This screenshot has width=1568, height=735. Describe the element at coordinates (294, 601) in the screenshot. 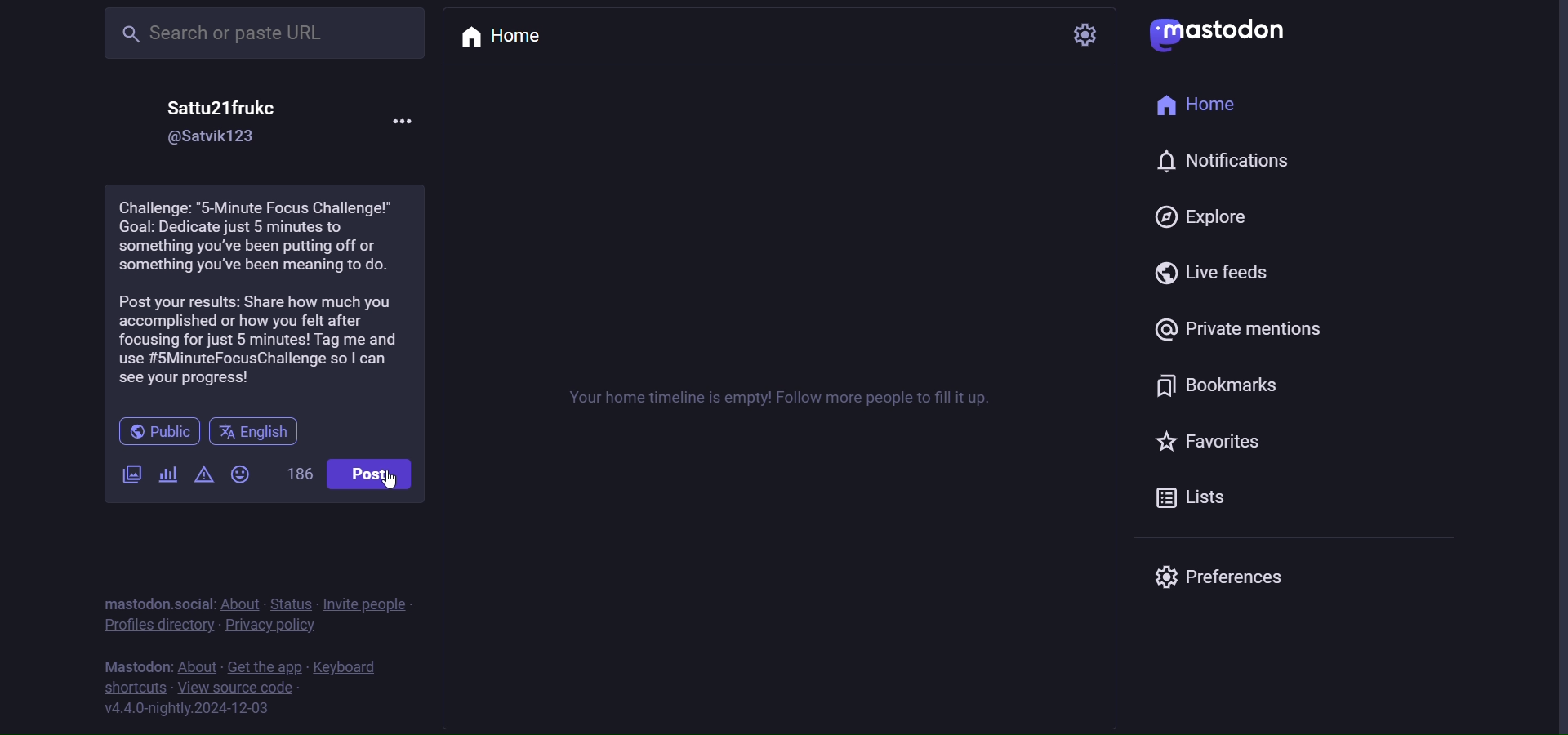

I see `status` at that location.